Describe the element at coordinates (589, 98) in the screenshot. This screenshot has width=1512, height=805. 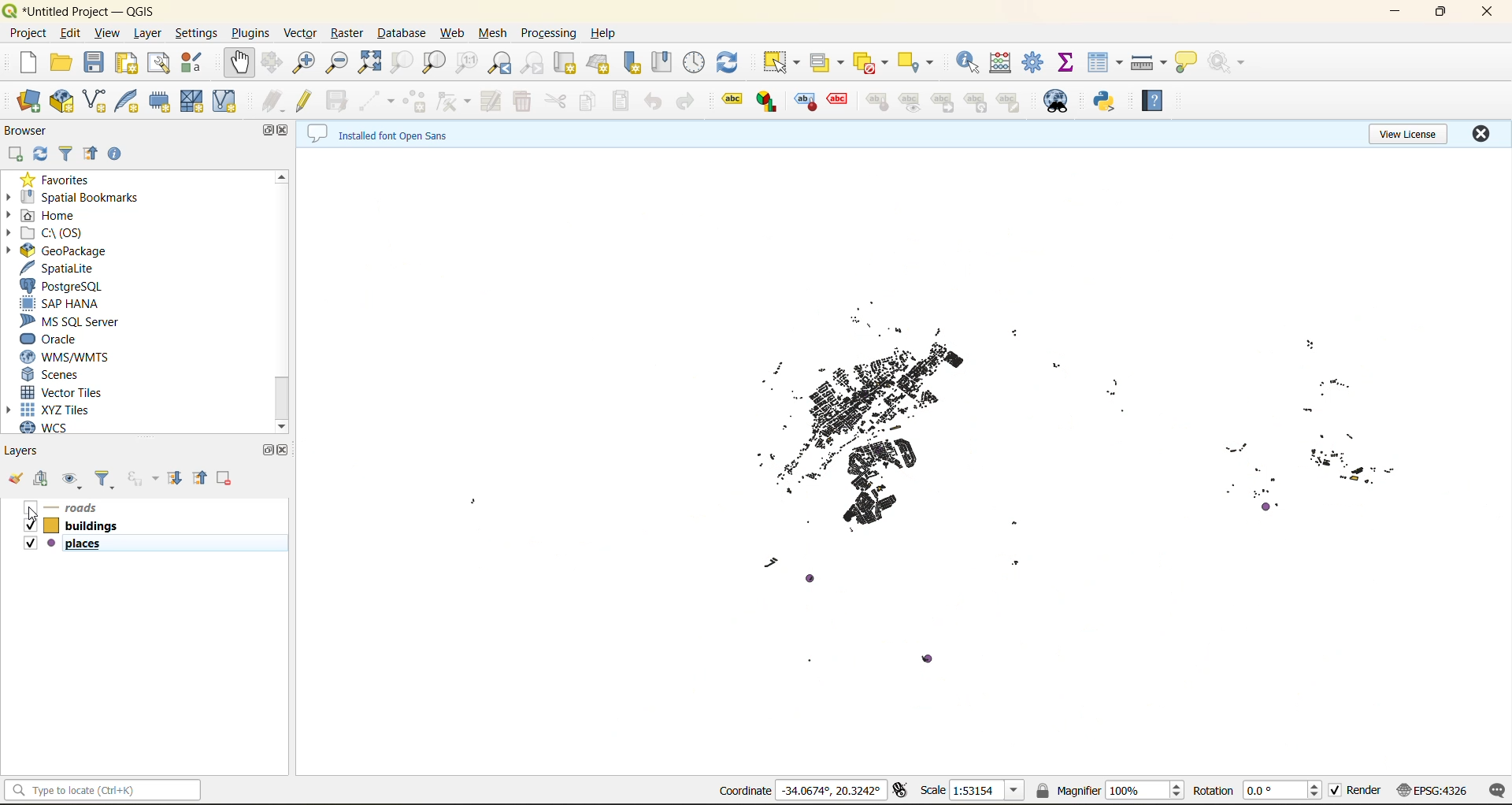
I see `copy` at that location.